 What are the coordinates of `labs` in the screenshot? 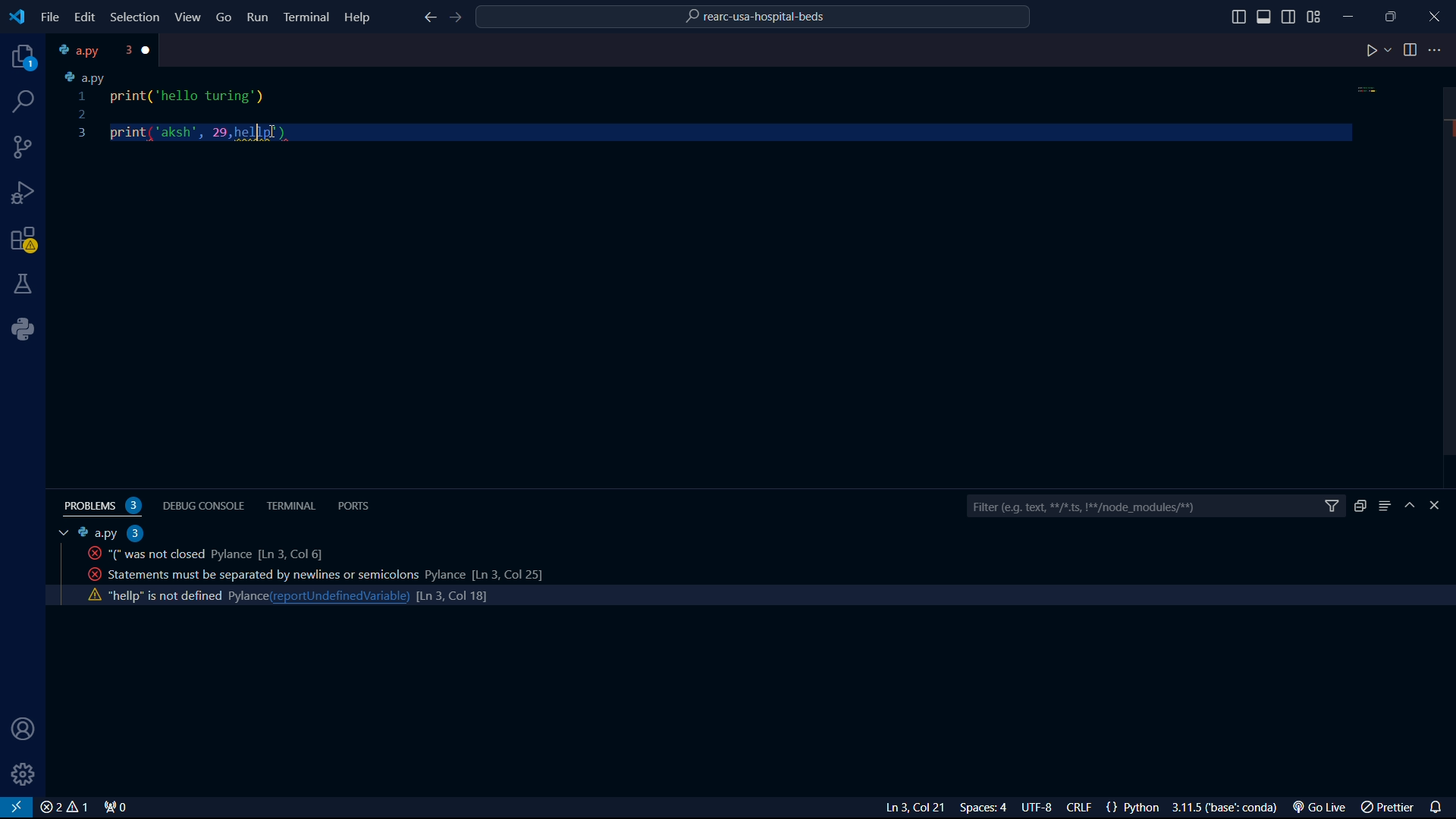 It's located at (24, 283).